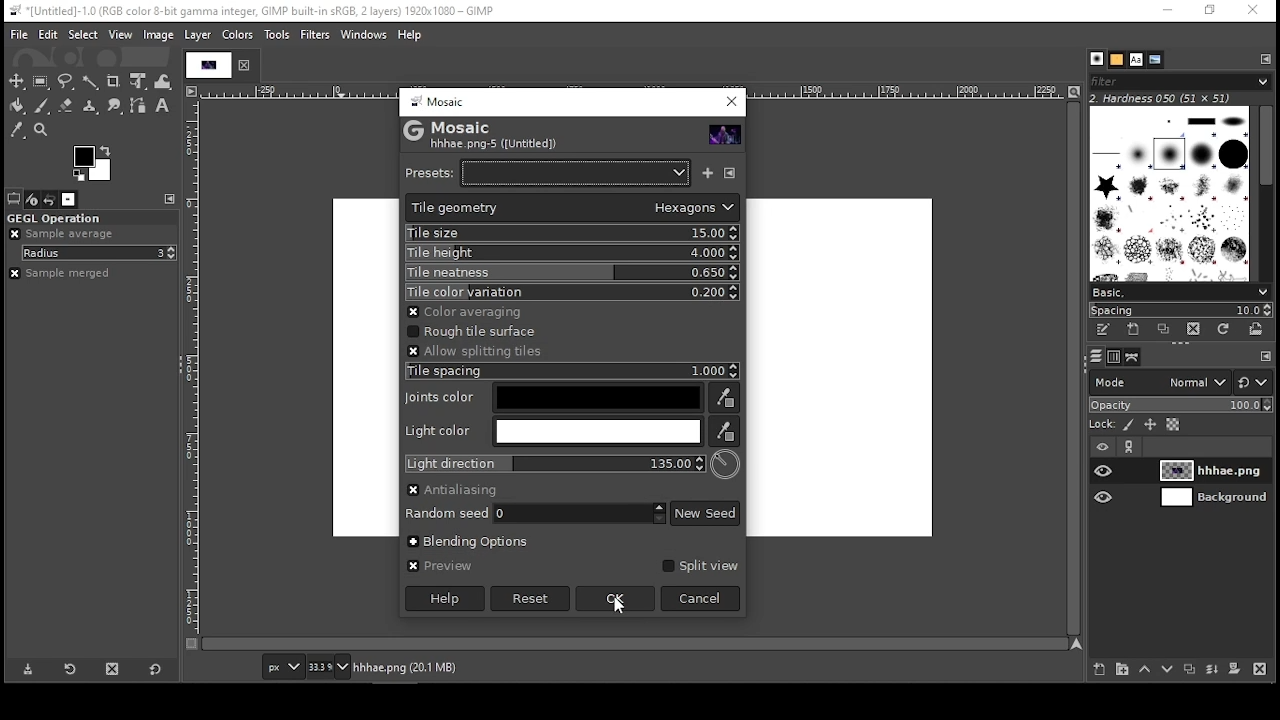 The height and width of the screenshot is (720, 1280). What do you see at coordinates (1167, 670) in the screenshot?
I see `move layer on step down` at bounding box center [1167, 670].